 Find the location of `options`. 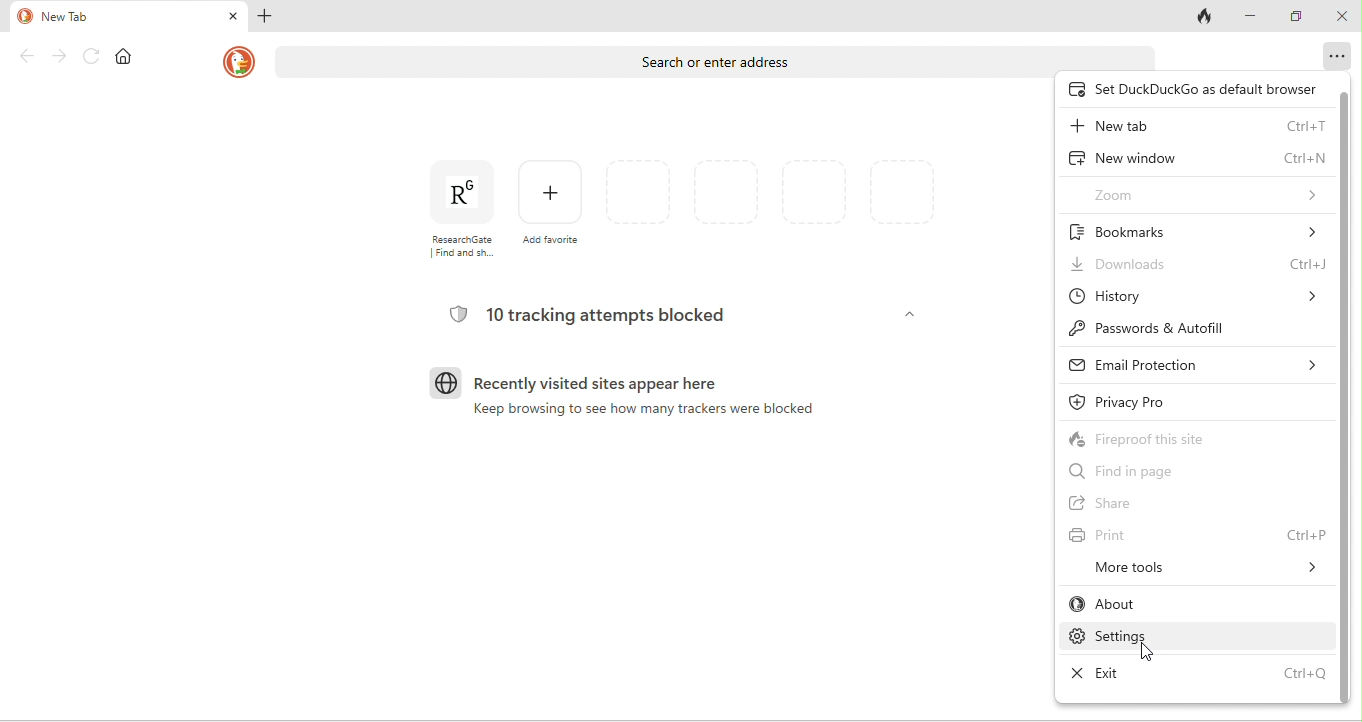

options is located at coordinates (1335, 53).